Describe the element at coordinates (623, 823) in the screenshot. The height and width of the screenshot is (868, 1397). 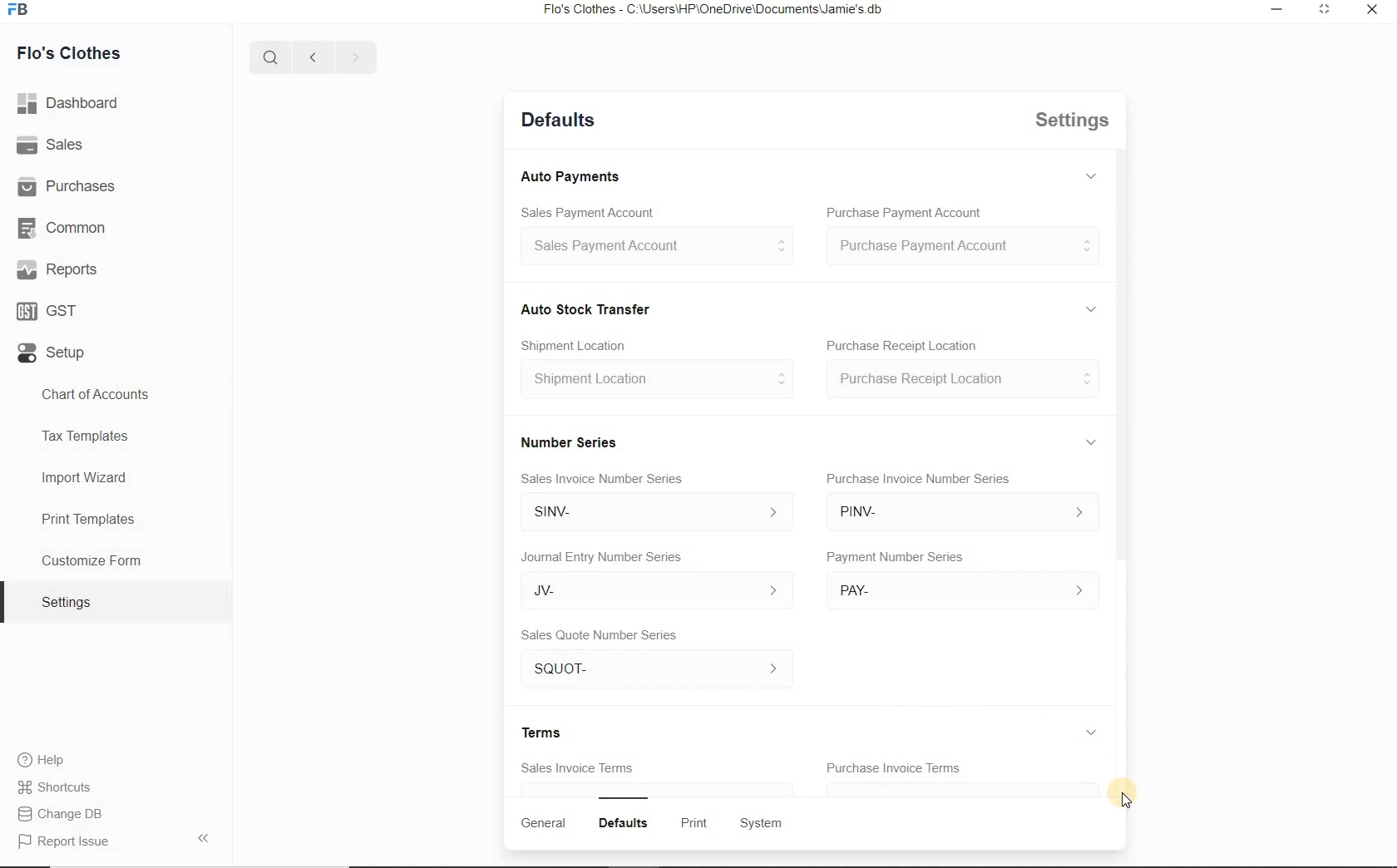
I see `Defaults` at that location.